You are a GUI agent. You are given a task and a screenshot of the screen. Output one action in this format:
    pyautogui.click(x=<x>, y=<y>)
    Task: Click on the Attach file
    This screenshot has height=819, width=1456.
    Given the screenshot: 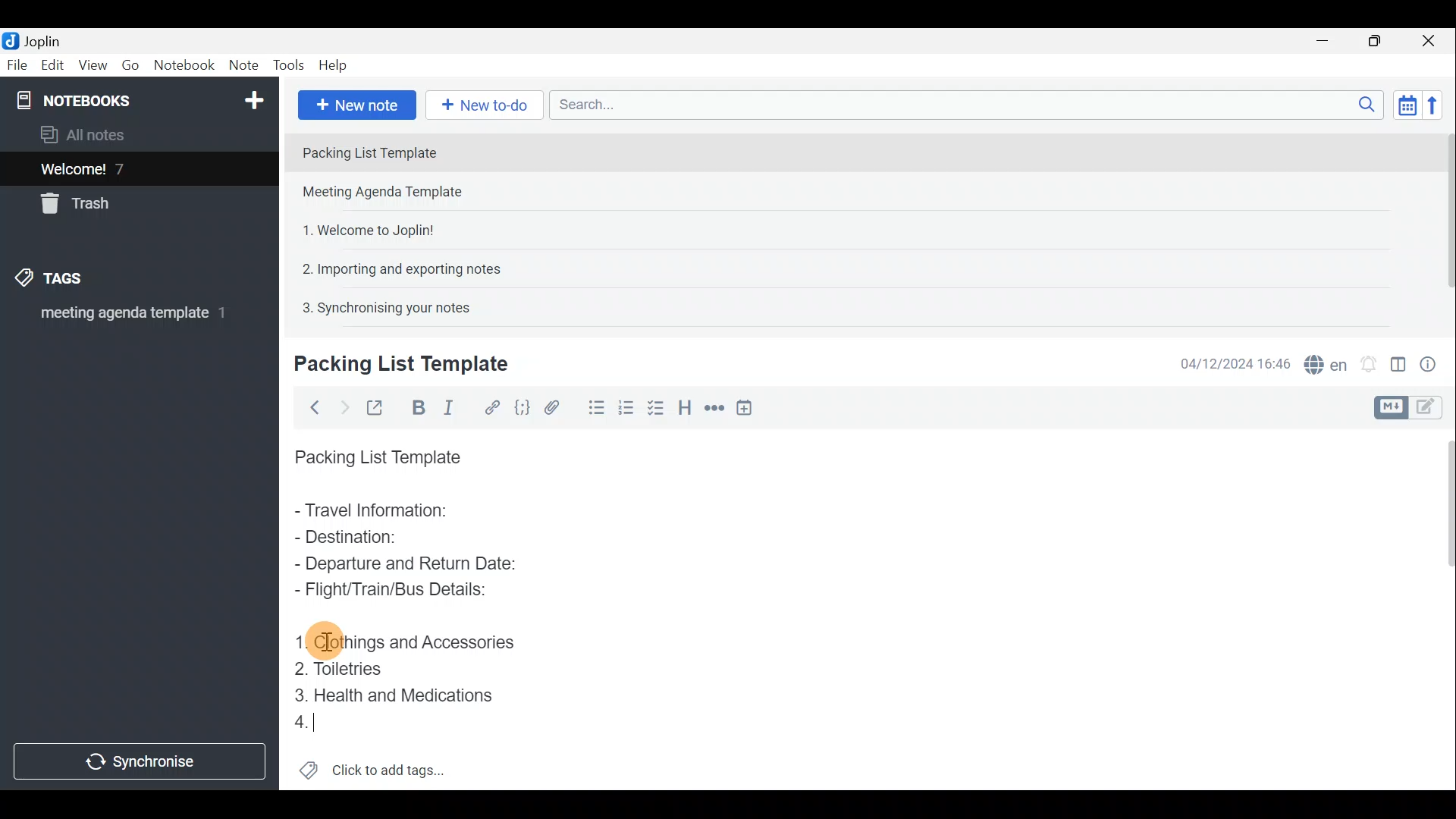 What is the action you would take?
    pyautogui.click(x=552, y=406)
    